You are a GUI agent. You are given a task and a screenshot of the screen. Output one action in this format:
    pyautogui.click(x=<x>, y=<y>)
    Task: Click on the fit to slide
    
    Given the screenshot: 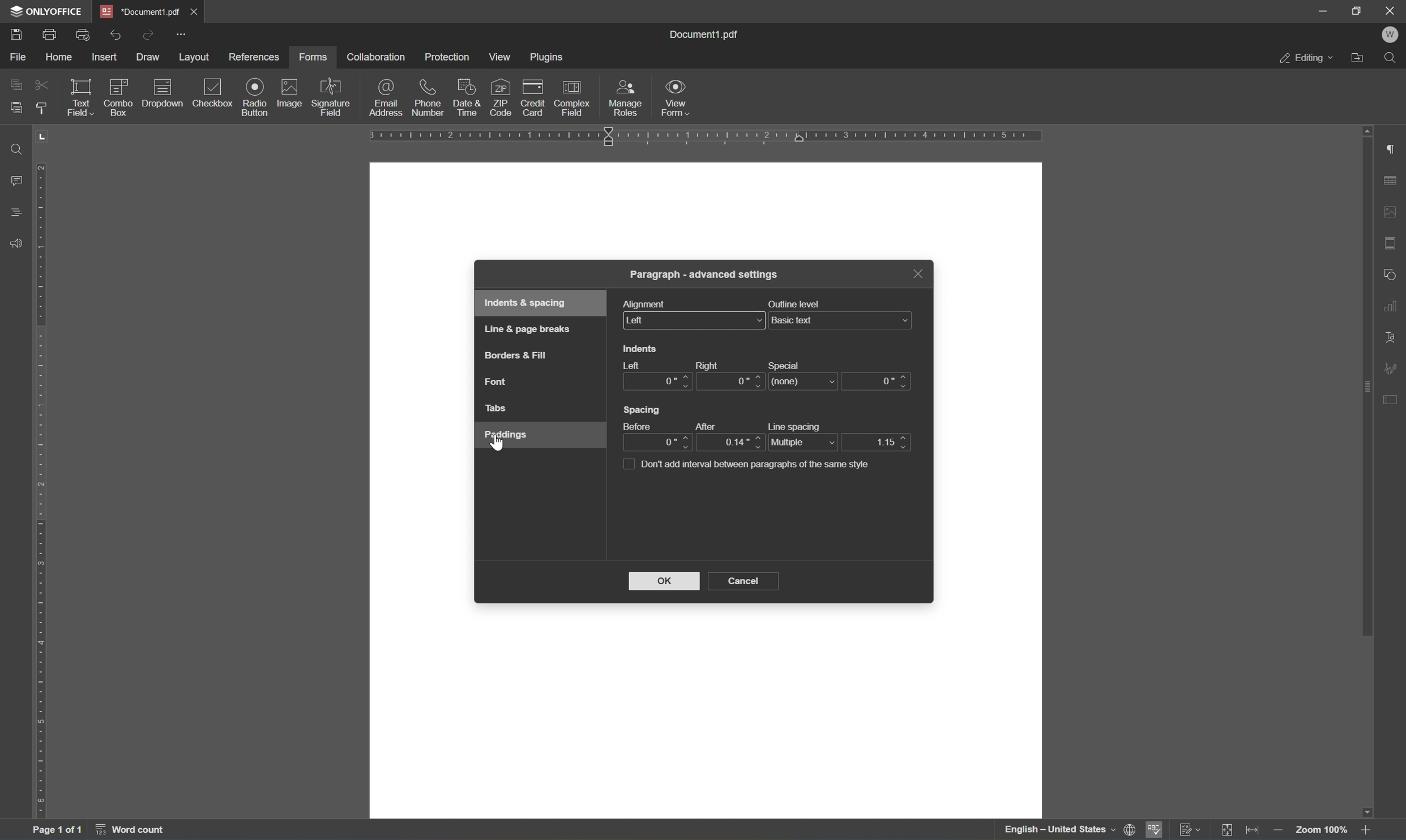 What is the action you would take?
    pyautogui.click(x=1228, y=830)
    